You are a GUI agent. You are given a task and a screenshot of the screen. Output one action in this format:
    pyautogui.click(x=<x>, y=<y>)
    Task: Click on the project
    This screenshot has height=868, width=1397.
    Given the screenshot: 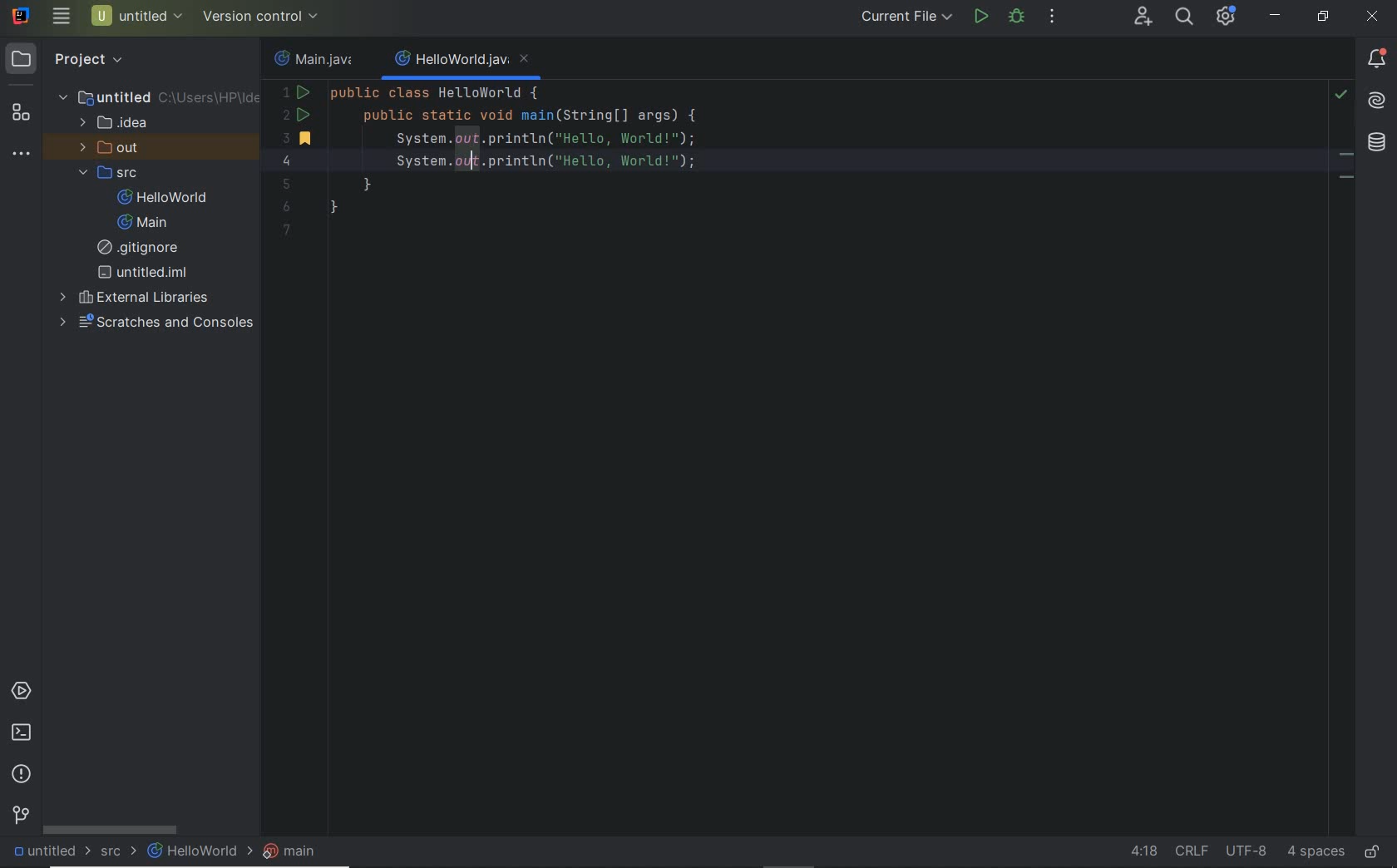 What is the action you would take?
    pyautogui.click(x=71, y=57)
    